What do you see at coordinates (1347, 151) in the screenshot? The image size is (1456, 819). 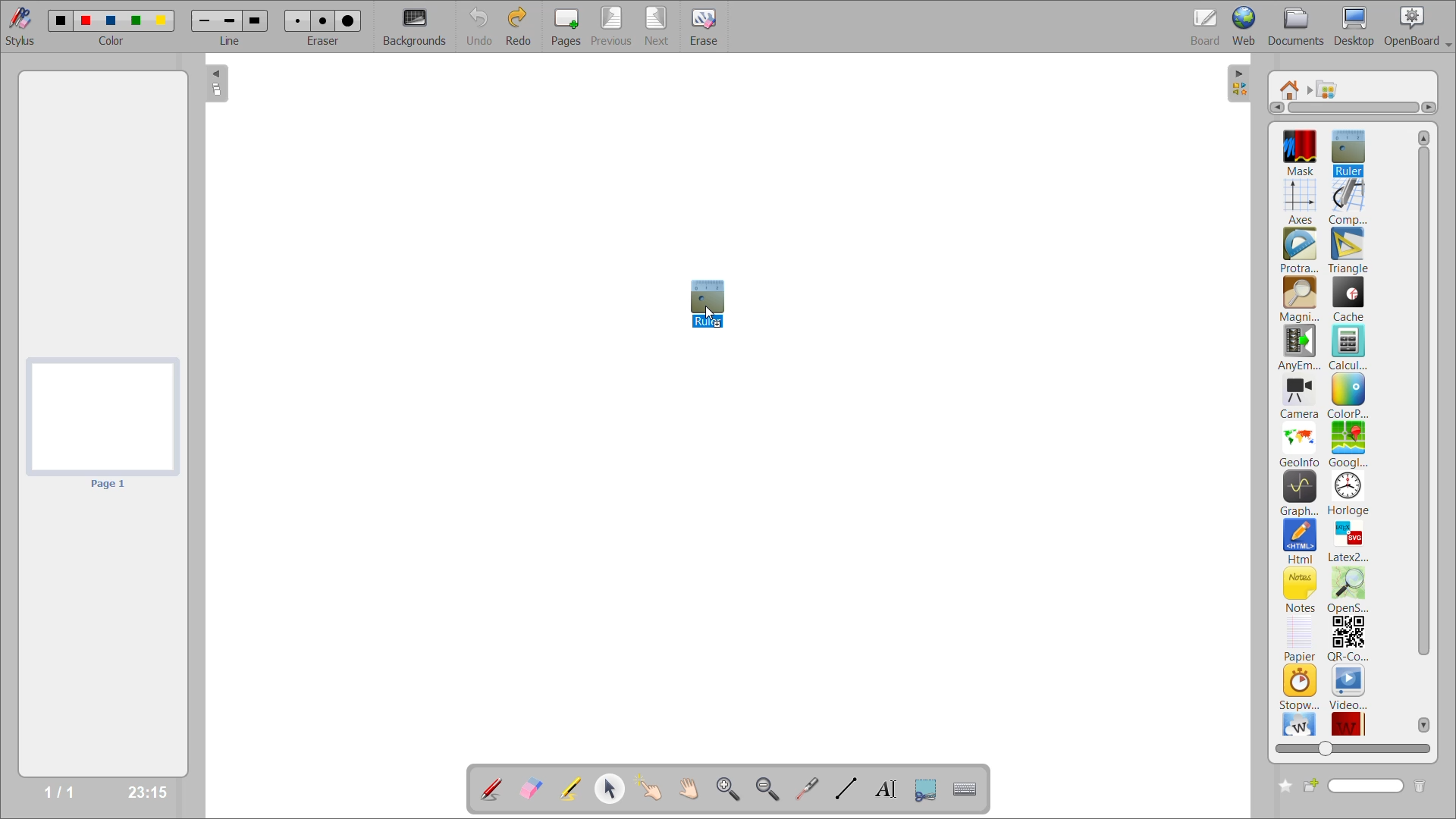 I see `ruler` at bounding box center [1347, 151].